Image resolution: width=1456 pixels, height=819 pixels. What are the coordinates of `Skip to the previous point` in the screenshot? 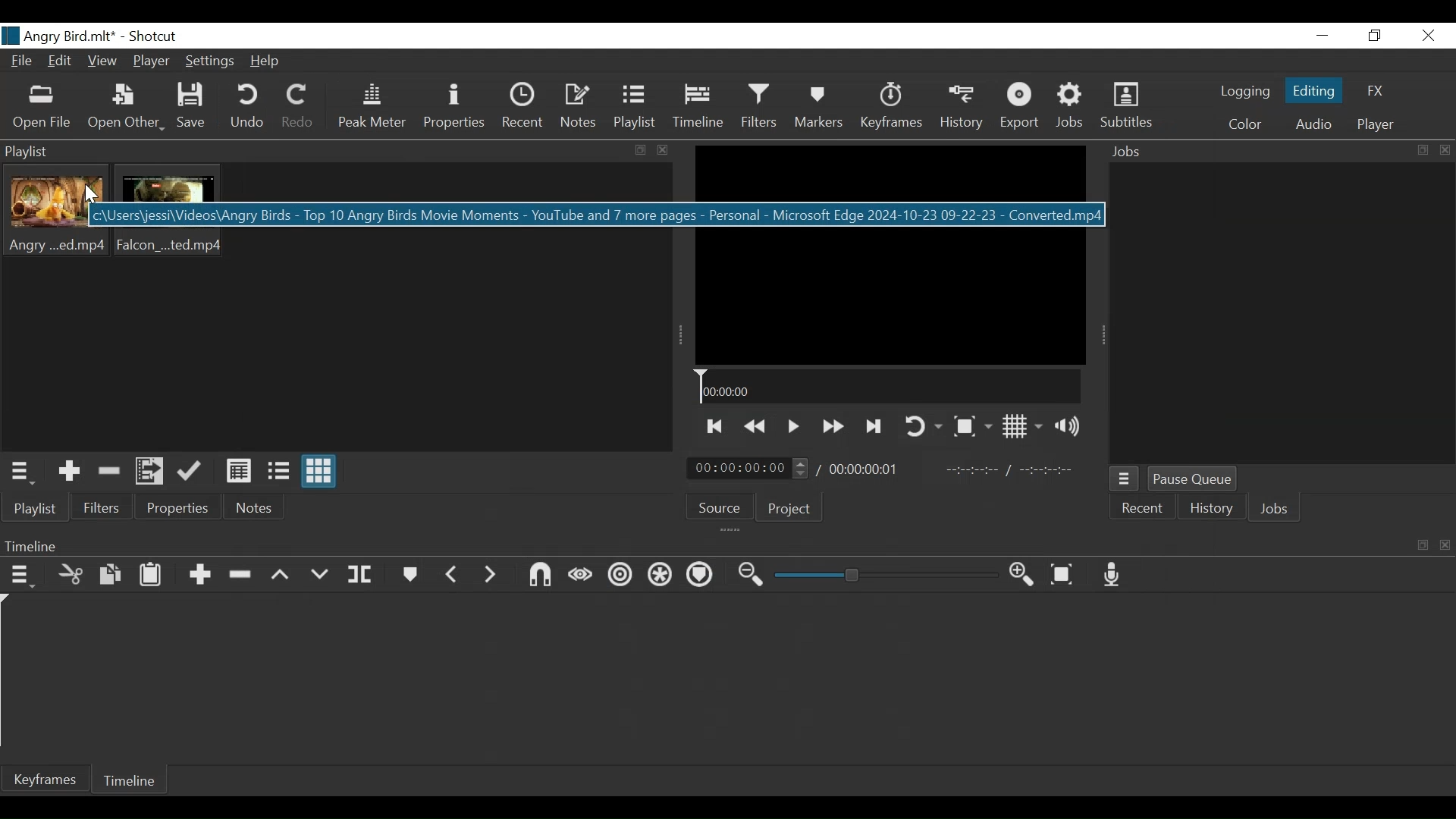 It's located at (713, 427).